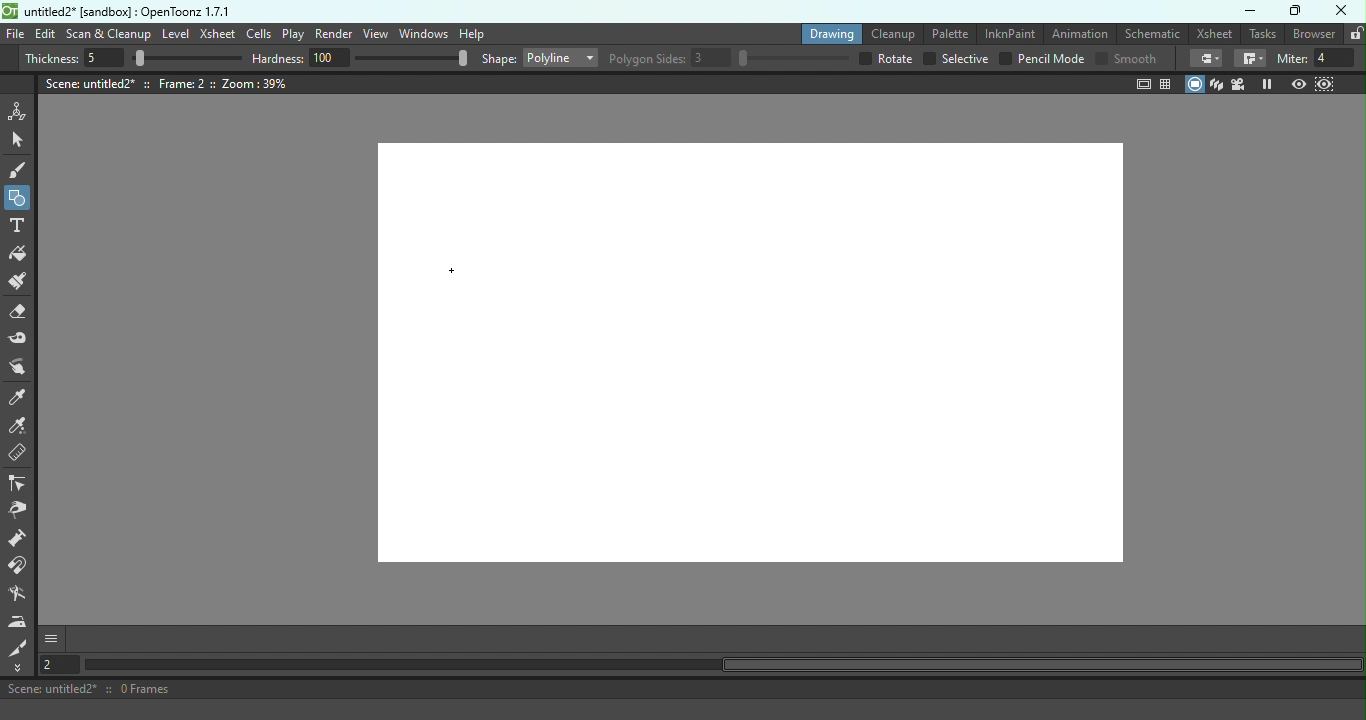 The height and width of the screenshot is (720, 1366). What do you see at coordinates (1195, 85) in the screenshot?
I see `Camera stand view` at bounding box center [1195, 85].